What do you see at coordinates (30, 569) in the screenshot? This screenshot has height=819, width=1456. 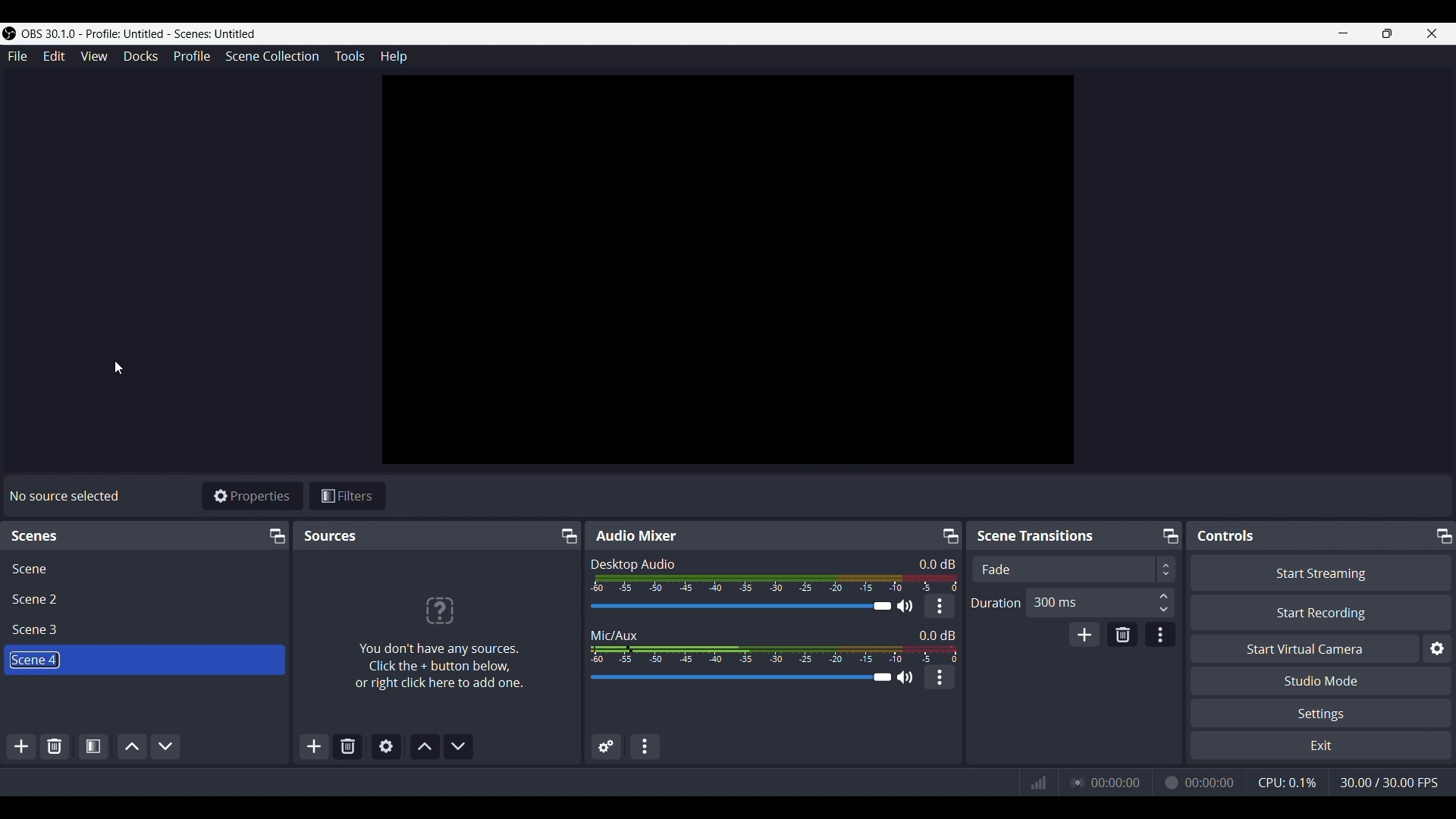 I see `Scene` at bounding box center [30, 569].